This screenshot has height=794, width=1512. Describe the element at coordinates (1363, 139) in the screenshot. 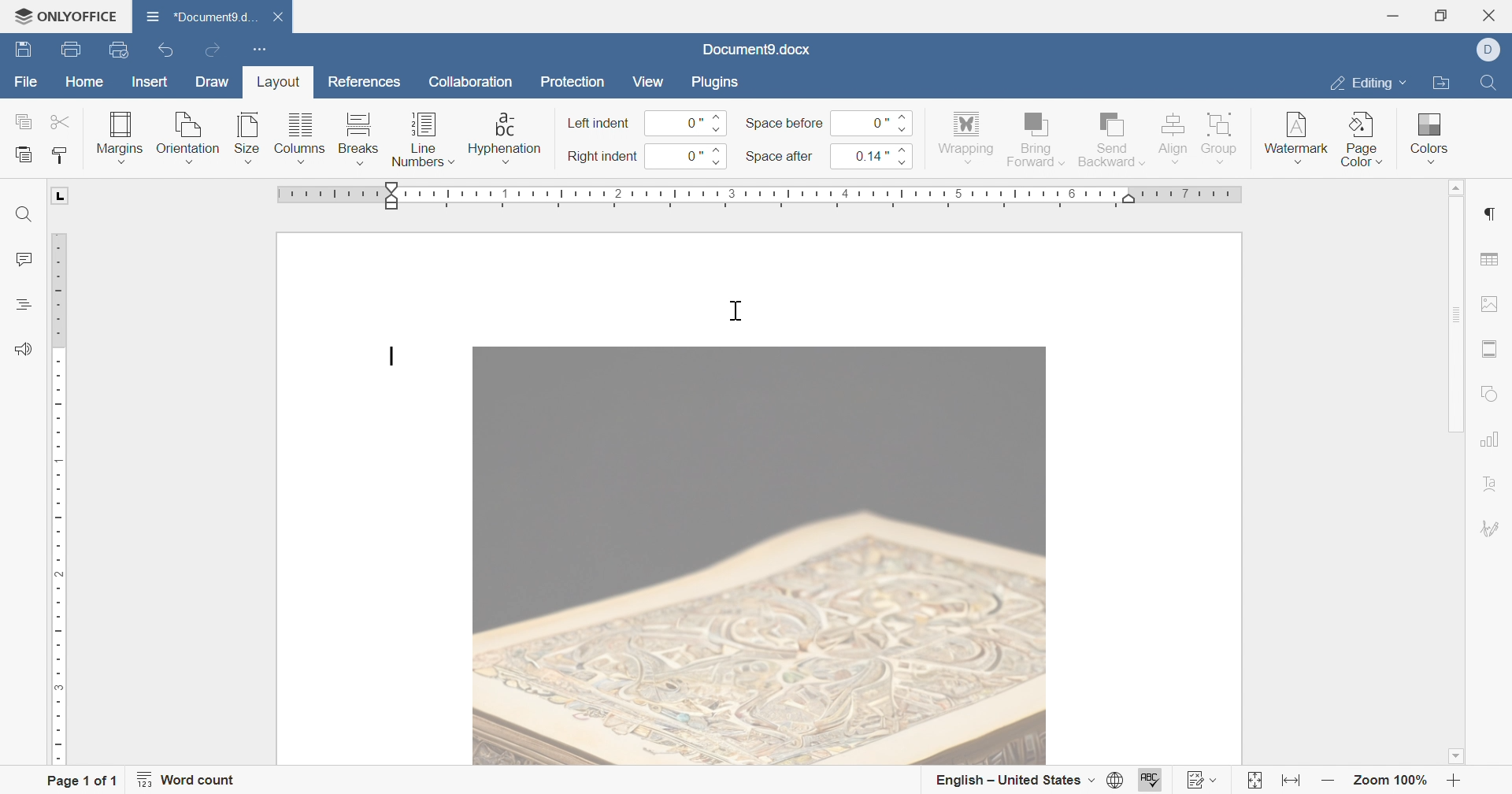

I see `page color` at that location.